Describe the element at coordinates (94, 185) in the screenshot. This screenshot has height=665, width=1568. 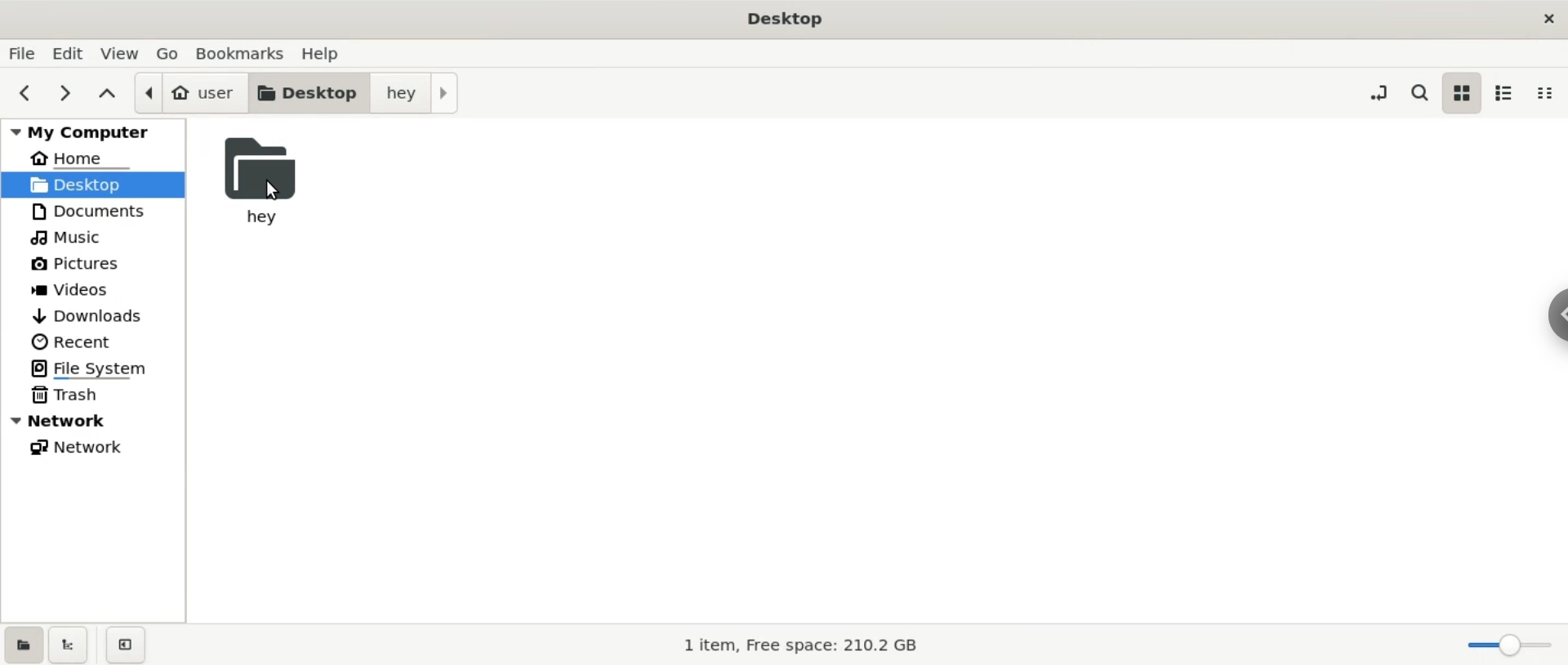
I see `desktop` at that location.